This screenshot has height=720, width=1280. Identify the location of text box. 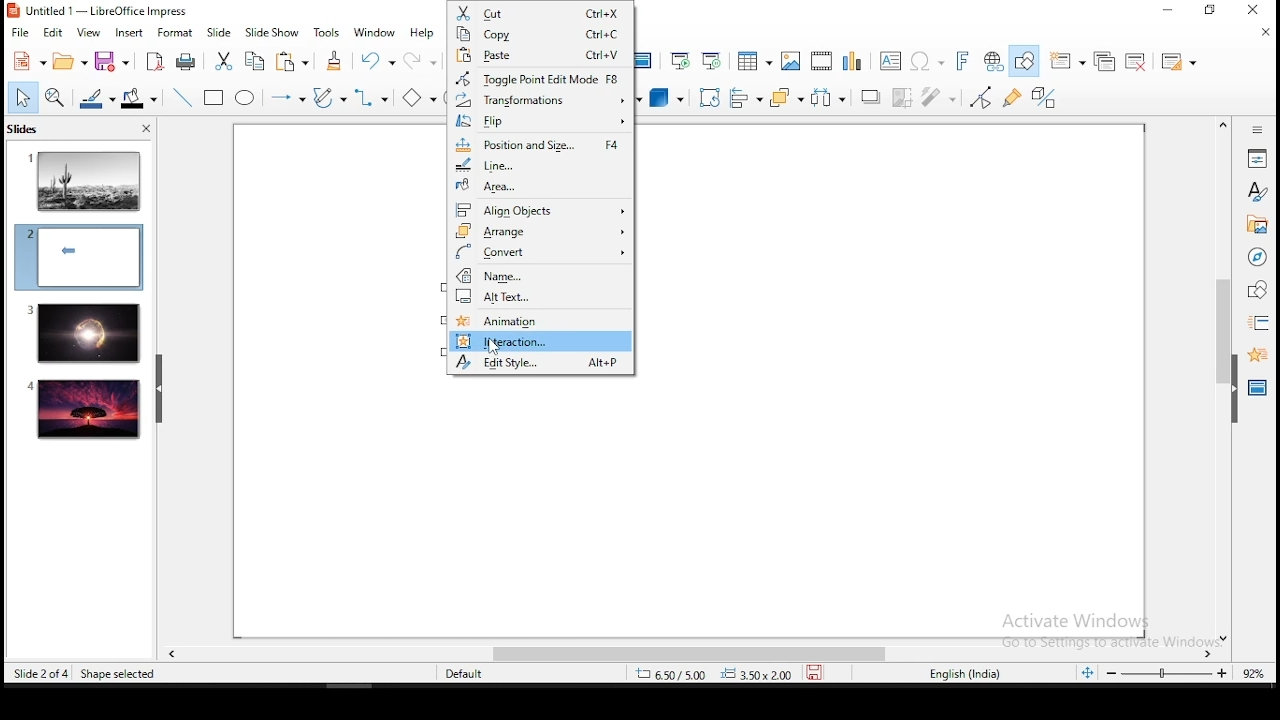
(889, 61).